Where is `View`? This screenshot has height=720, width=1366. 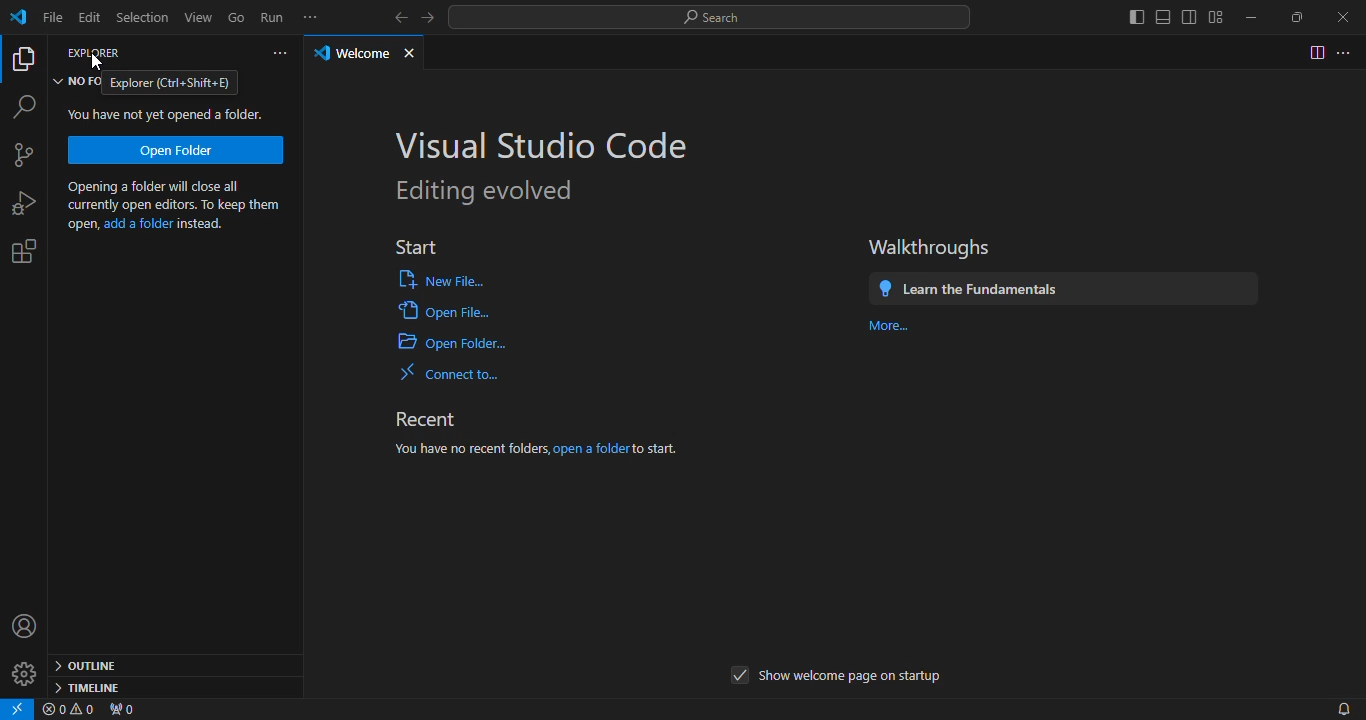 View is located at coordinates (202, 15).